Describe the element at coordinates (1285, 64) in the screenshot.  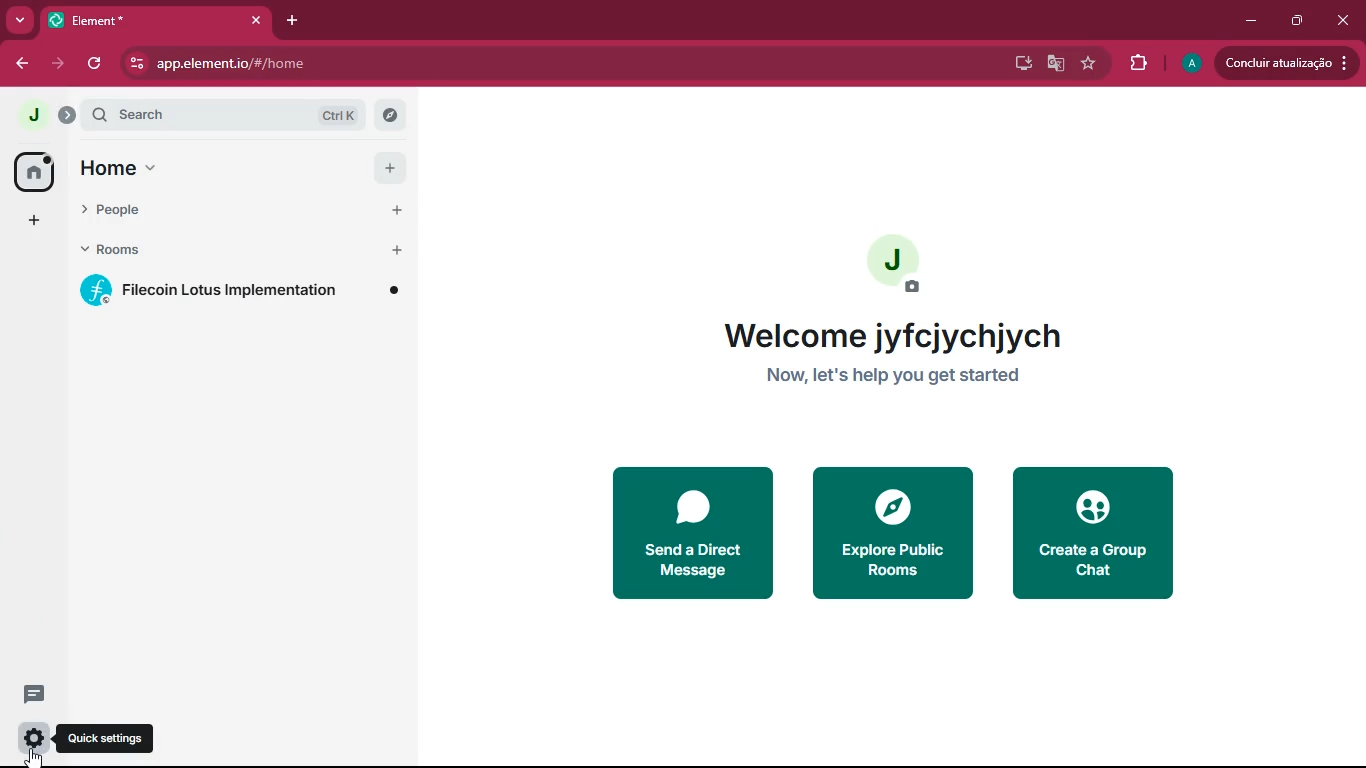
I see `updates` at that location.